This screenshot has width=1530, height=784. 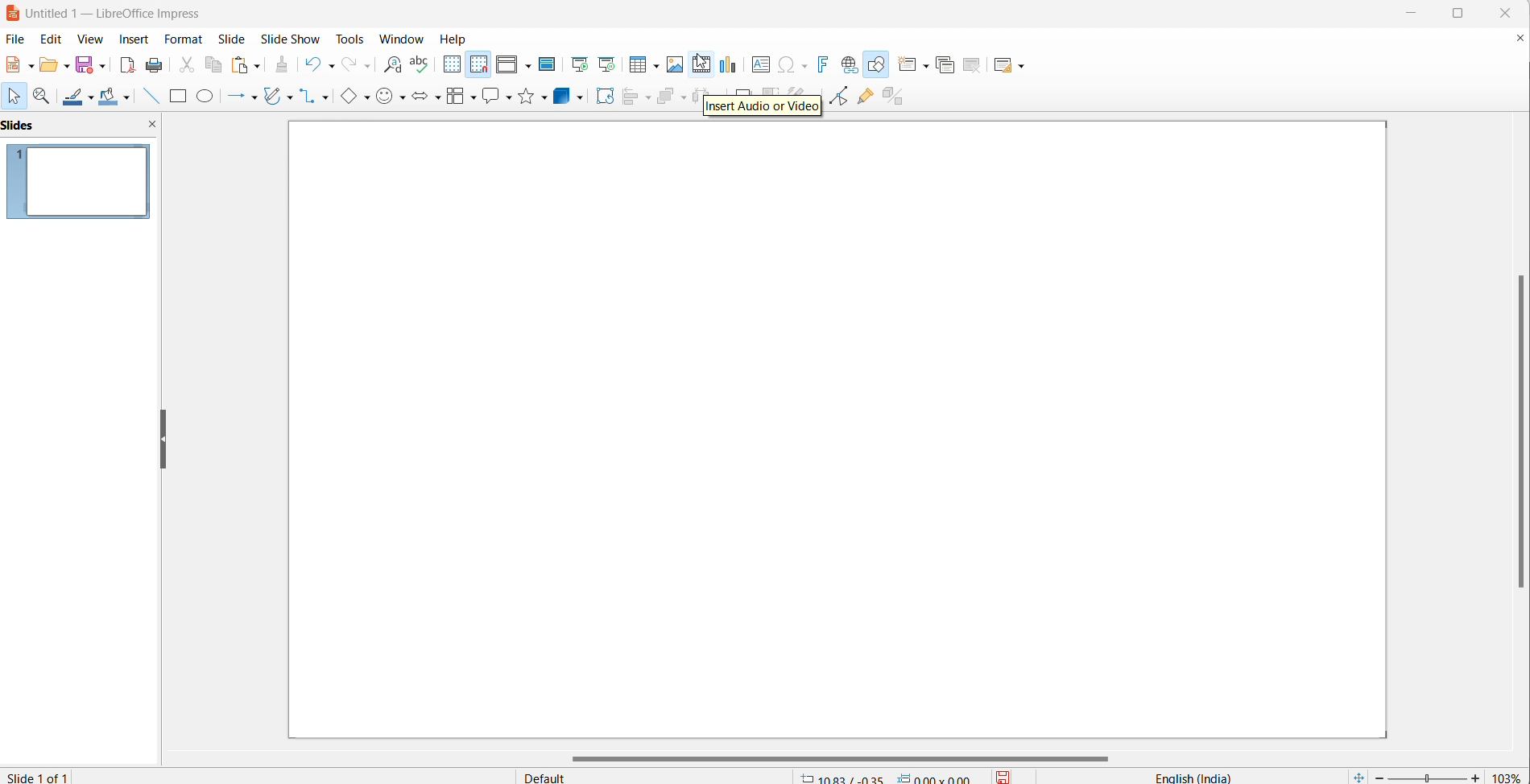 I want to click on curves and polygons options, so click(x=289, y=97).